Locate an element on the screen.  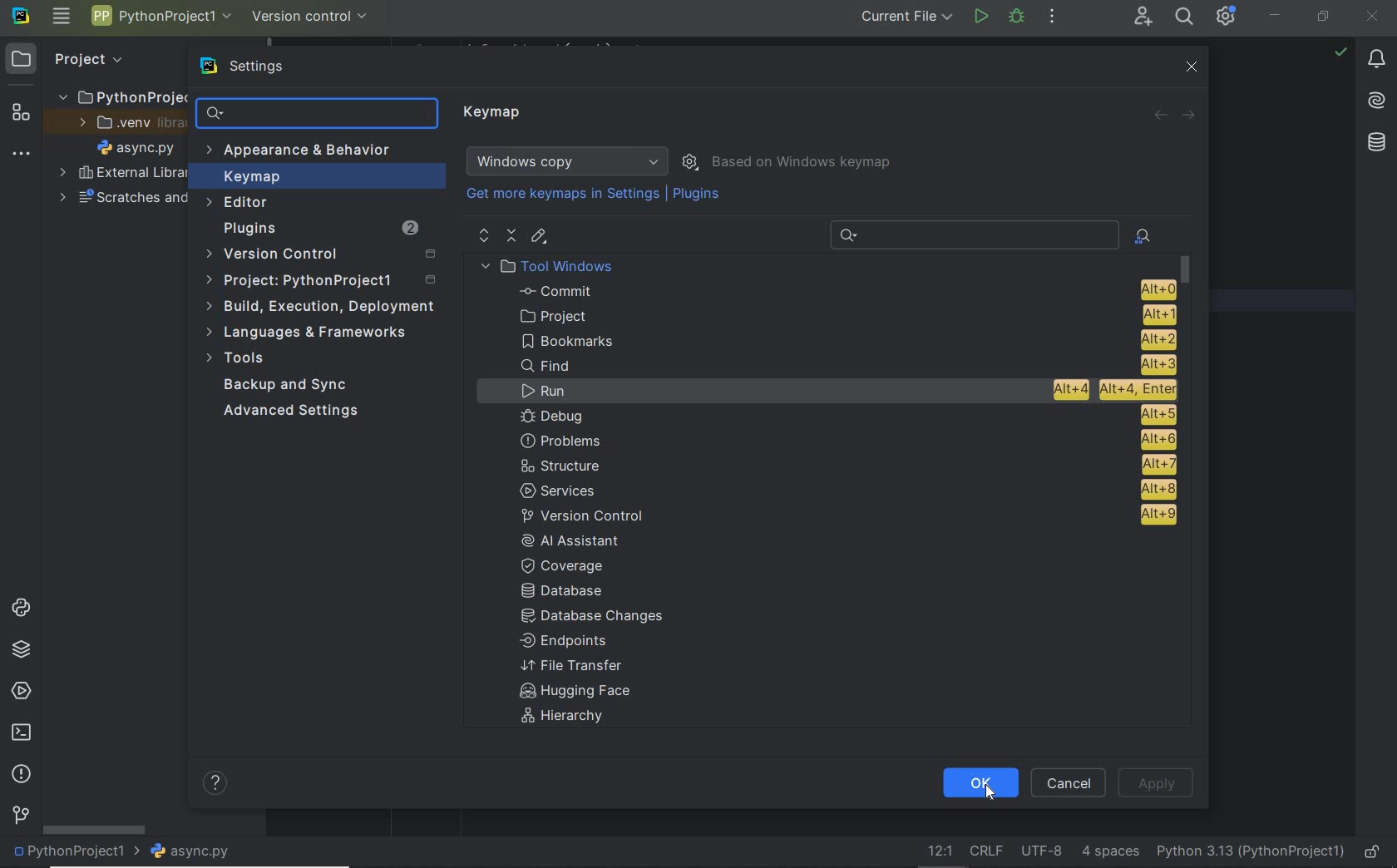
Project is located at coordinates (324, 281).